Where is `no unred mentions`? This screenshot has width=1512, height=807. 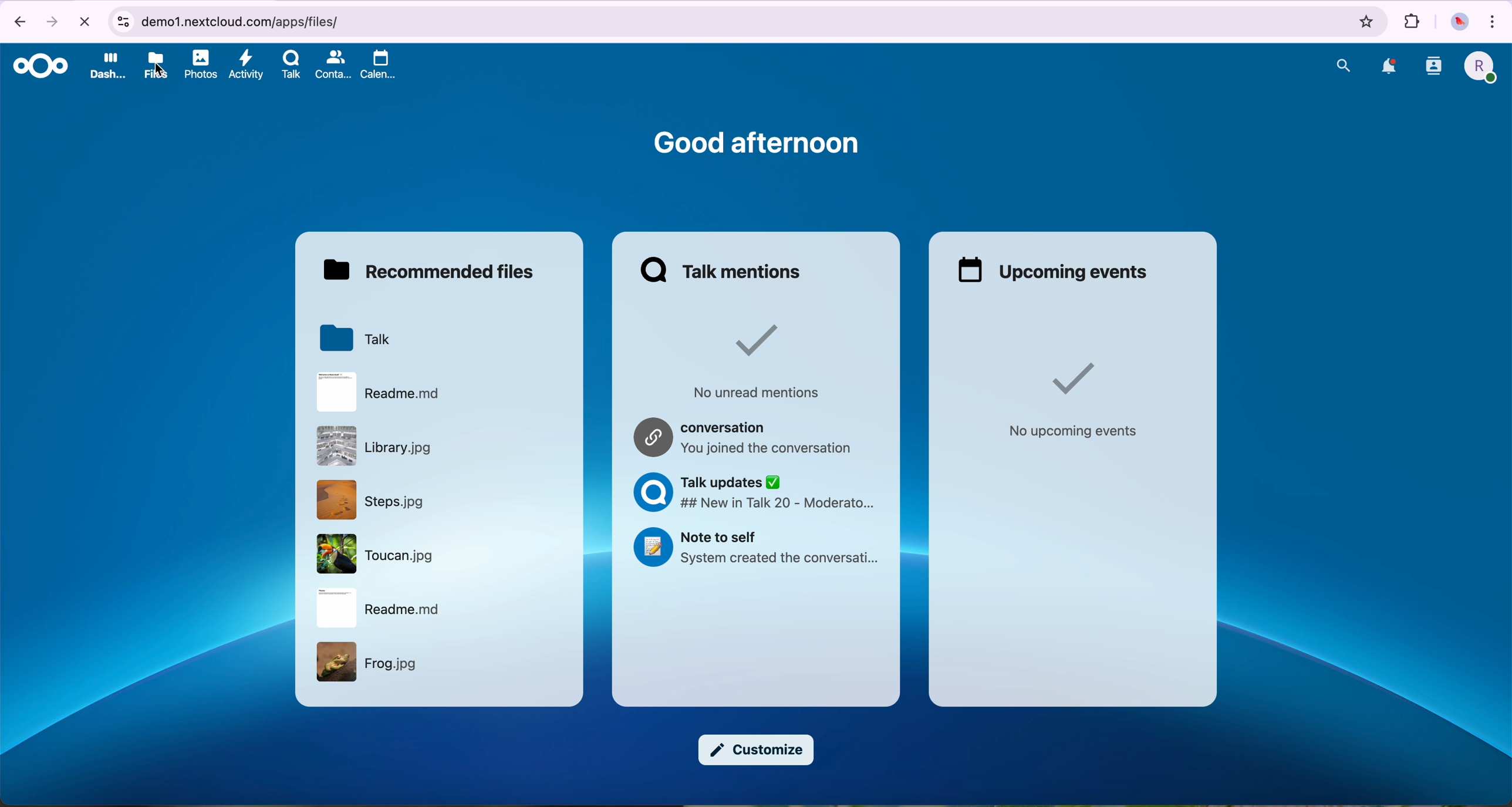
no unred mentions is located at coordinates (755, 391).